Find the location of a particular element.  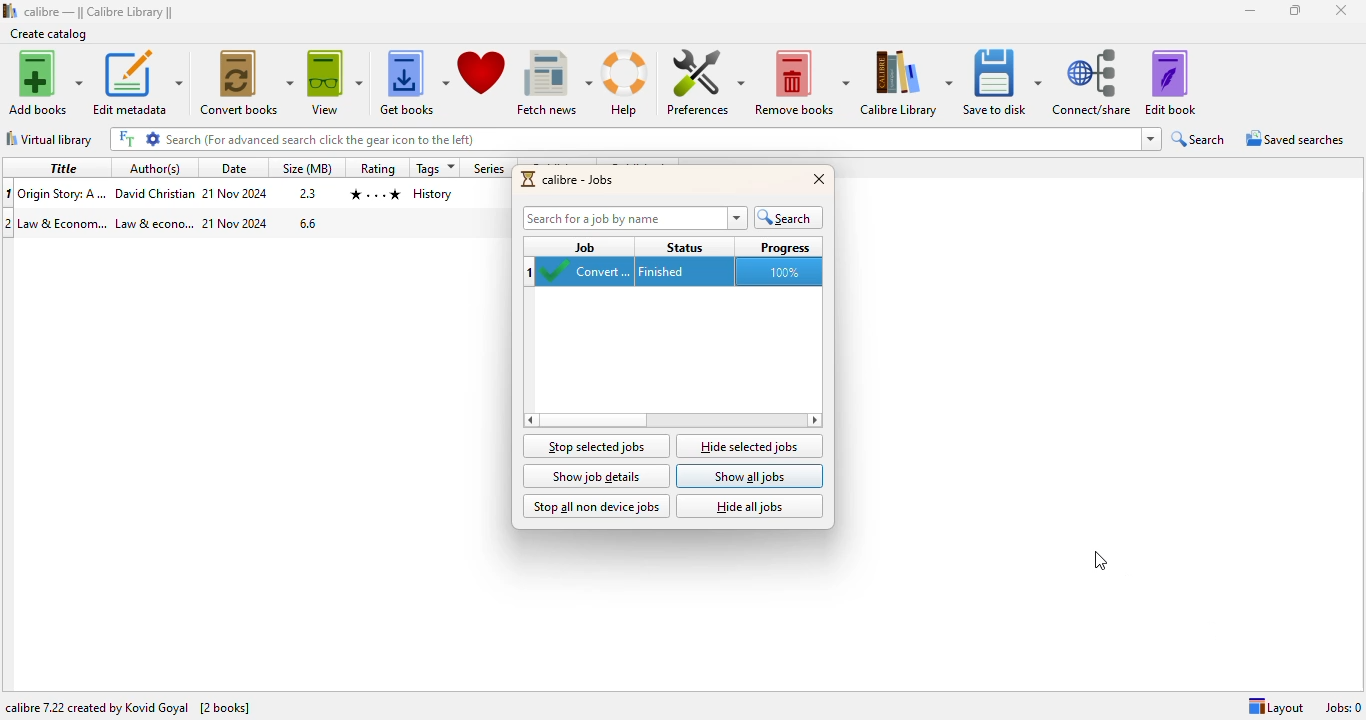

close is located at coordinates (1340, 10).